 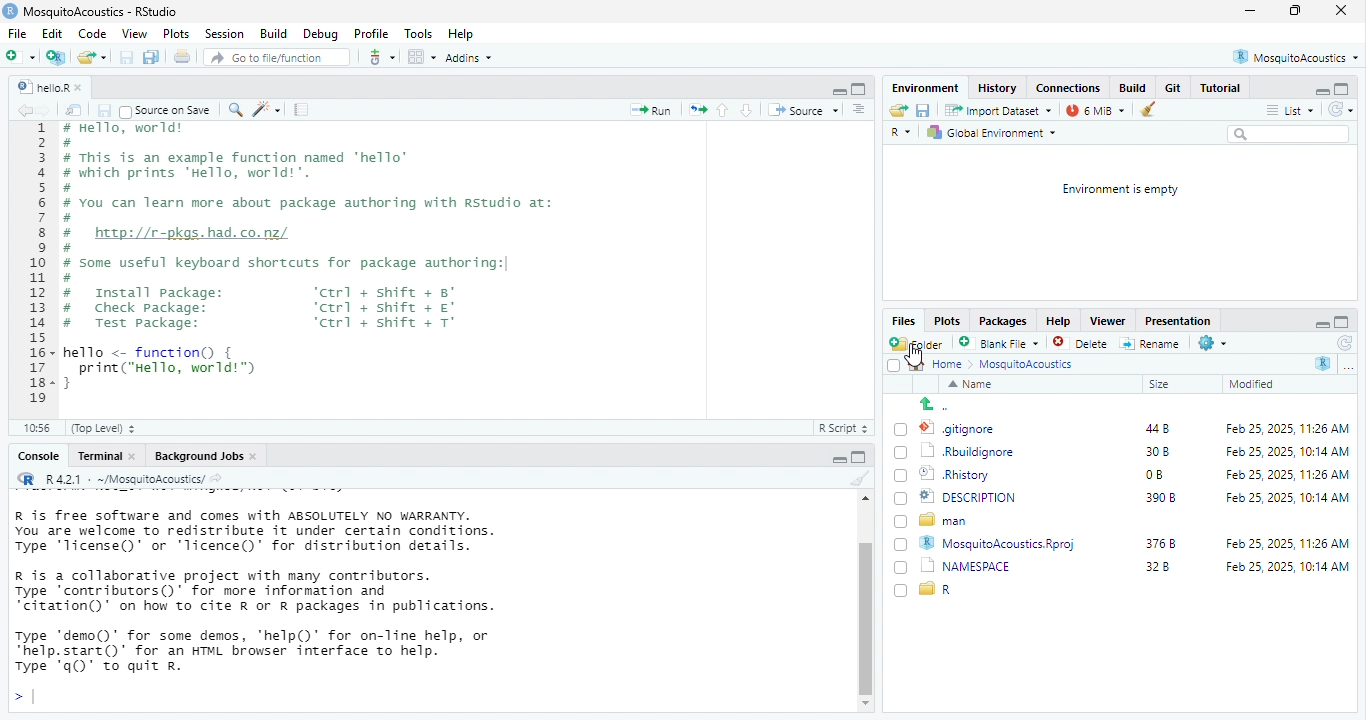 What do you see at coordinates (269, 111) in the screenshot?
I see `code tools` at bounding box center [269, 111].